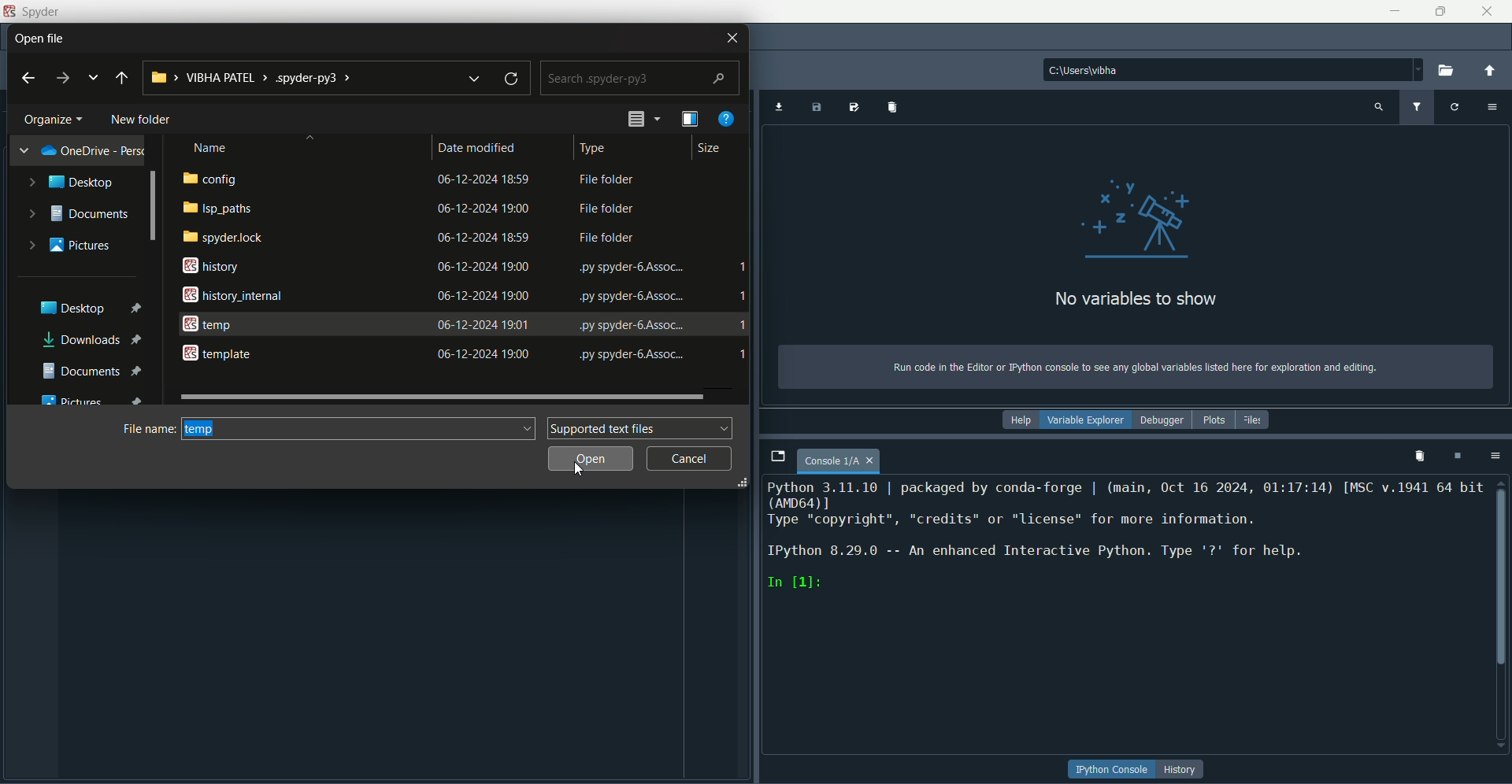 This screenshot has width=1512, height=784. I want to click on page name, so click(842, 461).